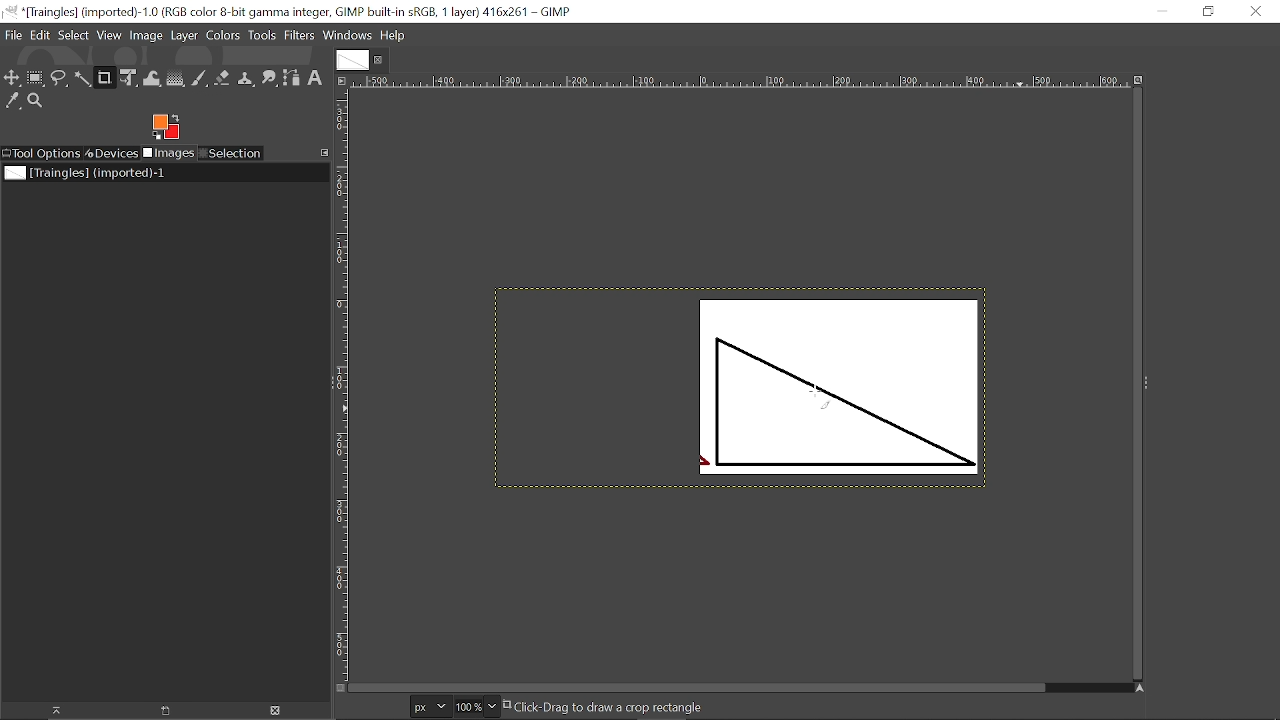  Describe the element at coordinates (36, 101) in the screenshot. I see `Zoom took` at that location.